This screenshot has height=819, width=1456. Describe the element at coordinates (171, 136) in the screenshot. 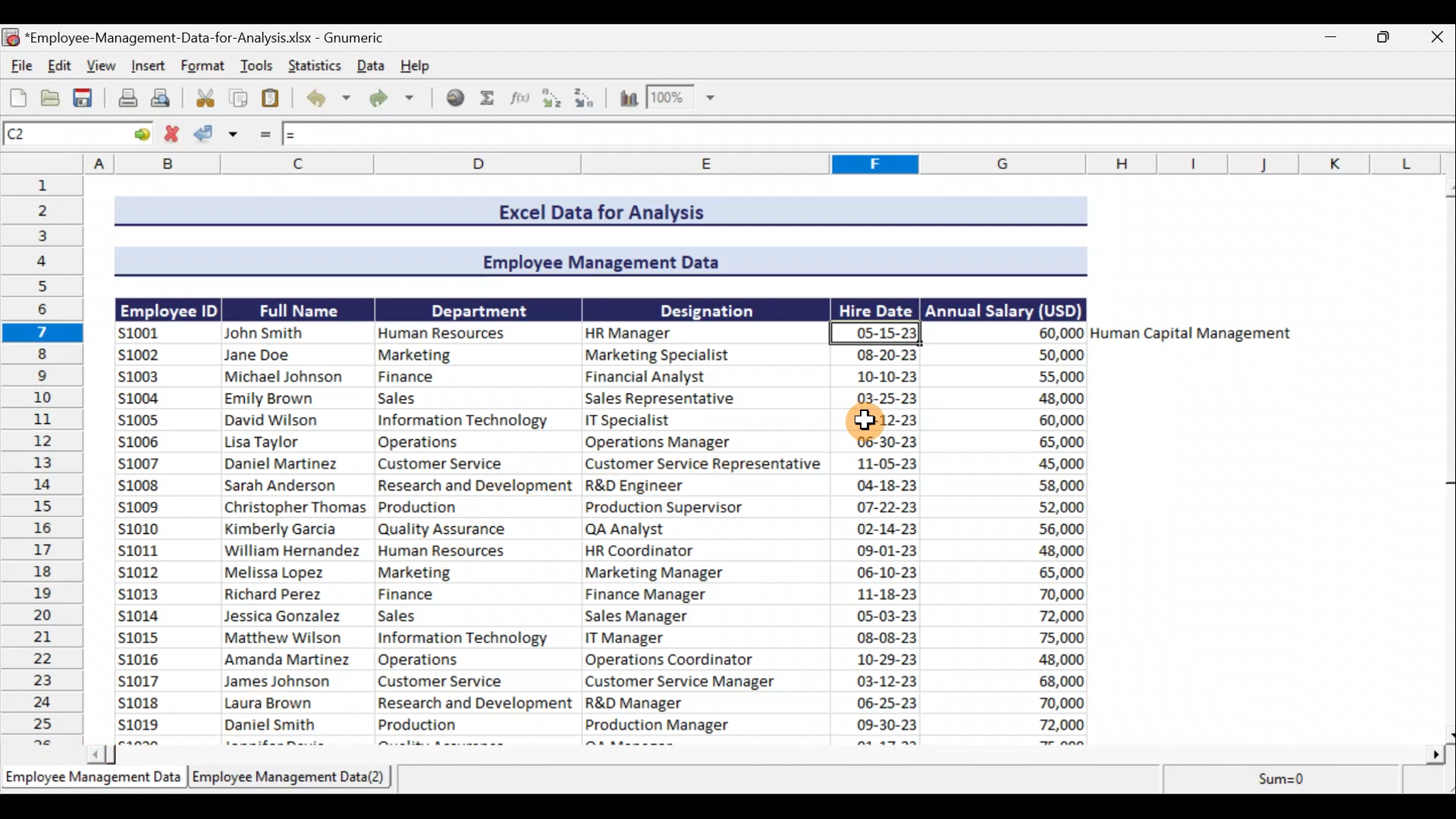

I see `Cancel change` at that location.